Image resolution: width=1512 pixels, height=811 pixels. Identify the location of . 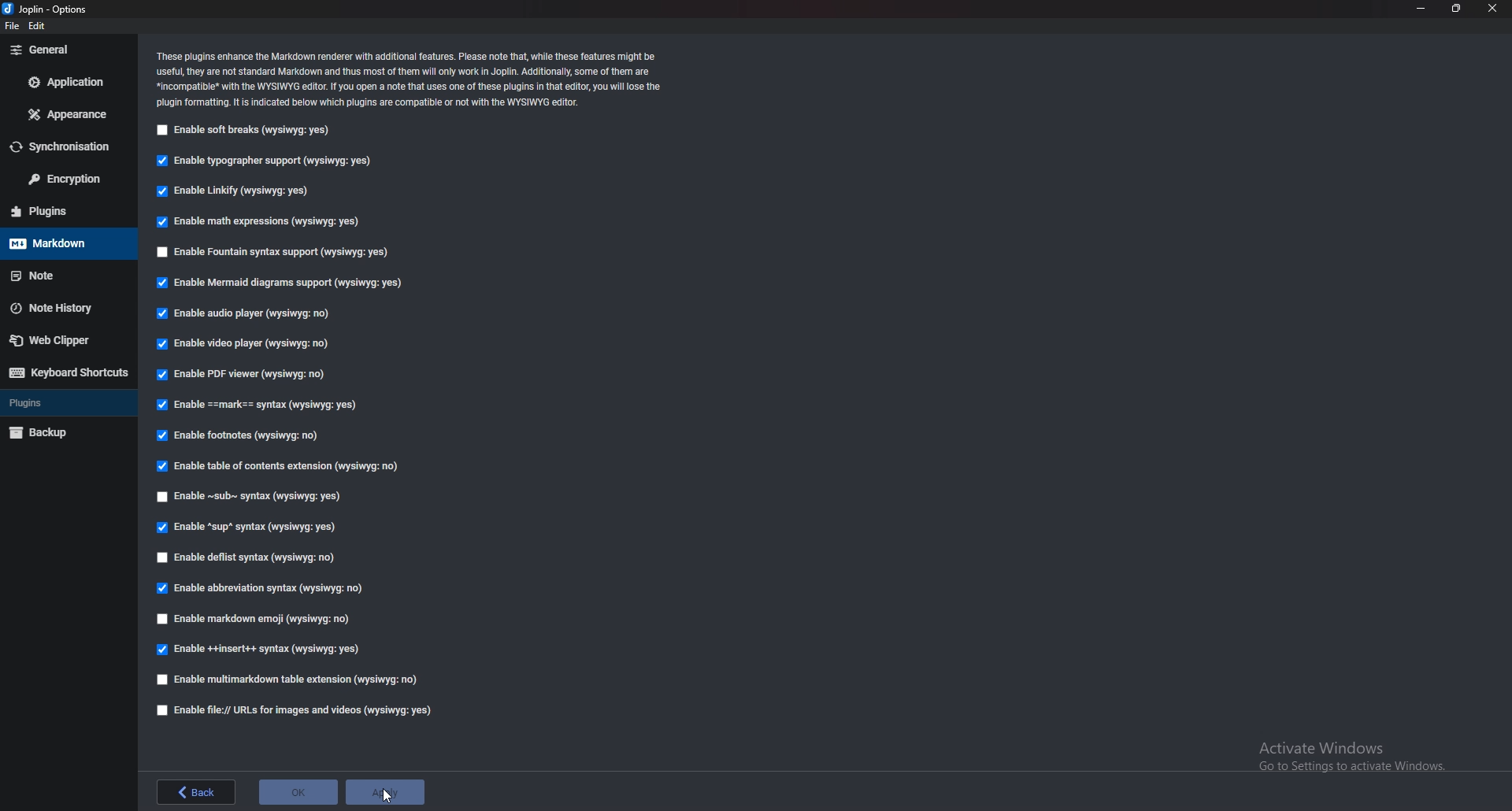
(258, 222).